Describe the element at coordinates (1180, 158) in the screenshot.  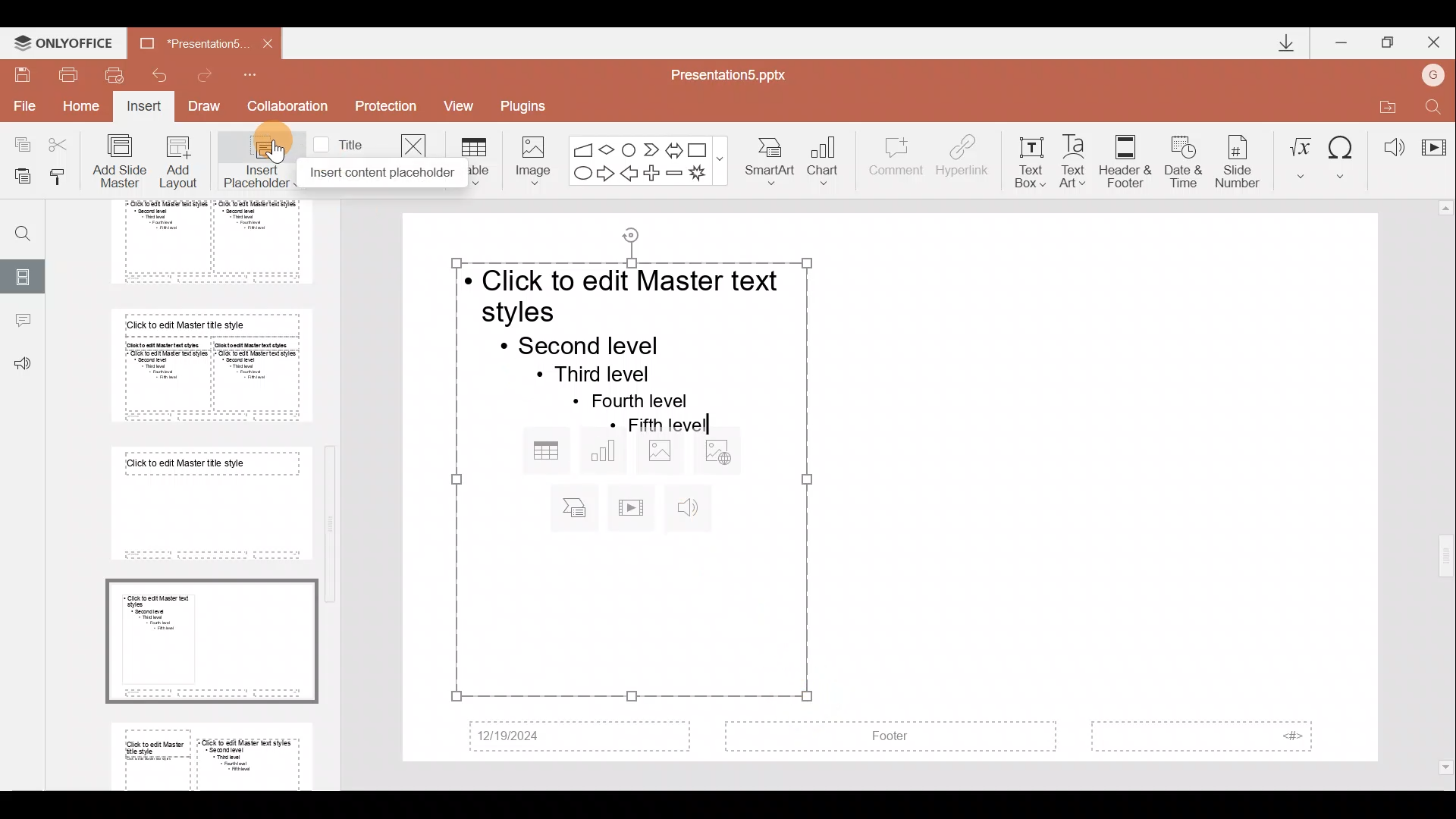
I see `Date & time` at that location.